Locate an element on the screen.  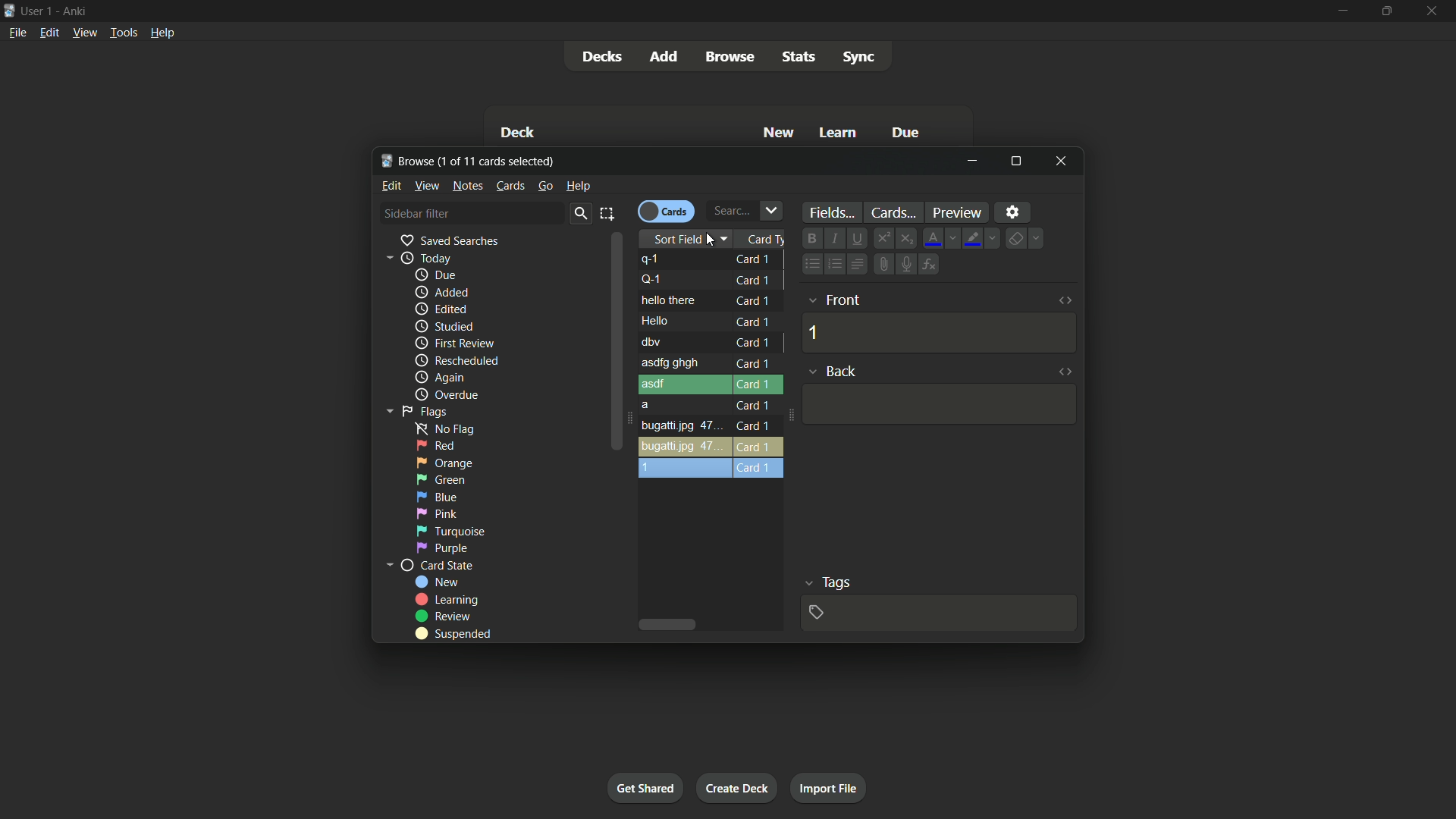
app icon is located at coordinates (9, 10).